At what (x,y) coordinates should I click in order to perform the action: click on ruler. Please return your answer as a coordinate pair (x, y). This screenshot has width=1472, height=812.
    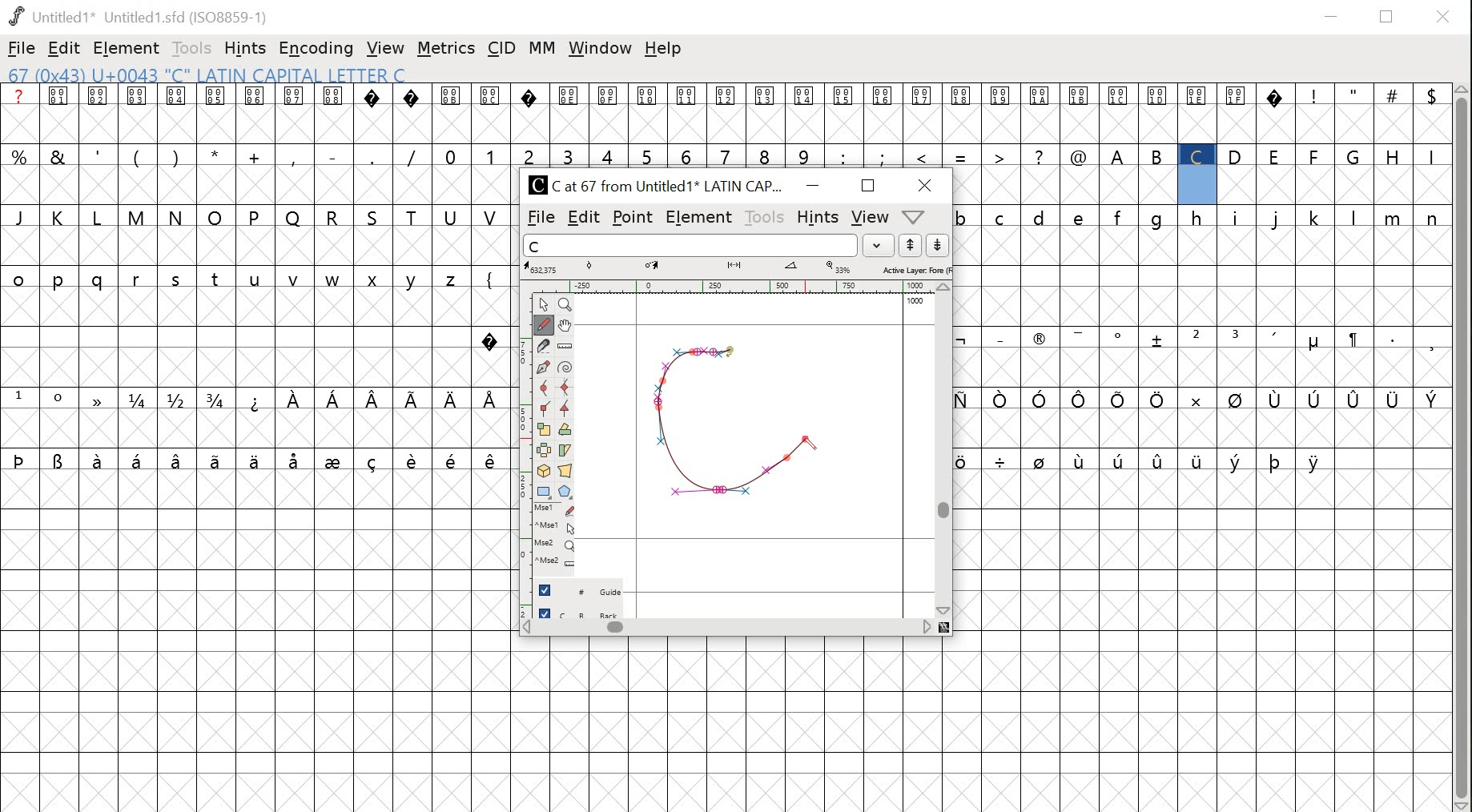
    Looking at the image, I should click on (735, 285).